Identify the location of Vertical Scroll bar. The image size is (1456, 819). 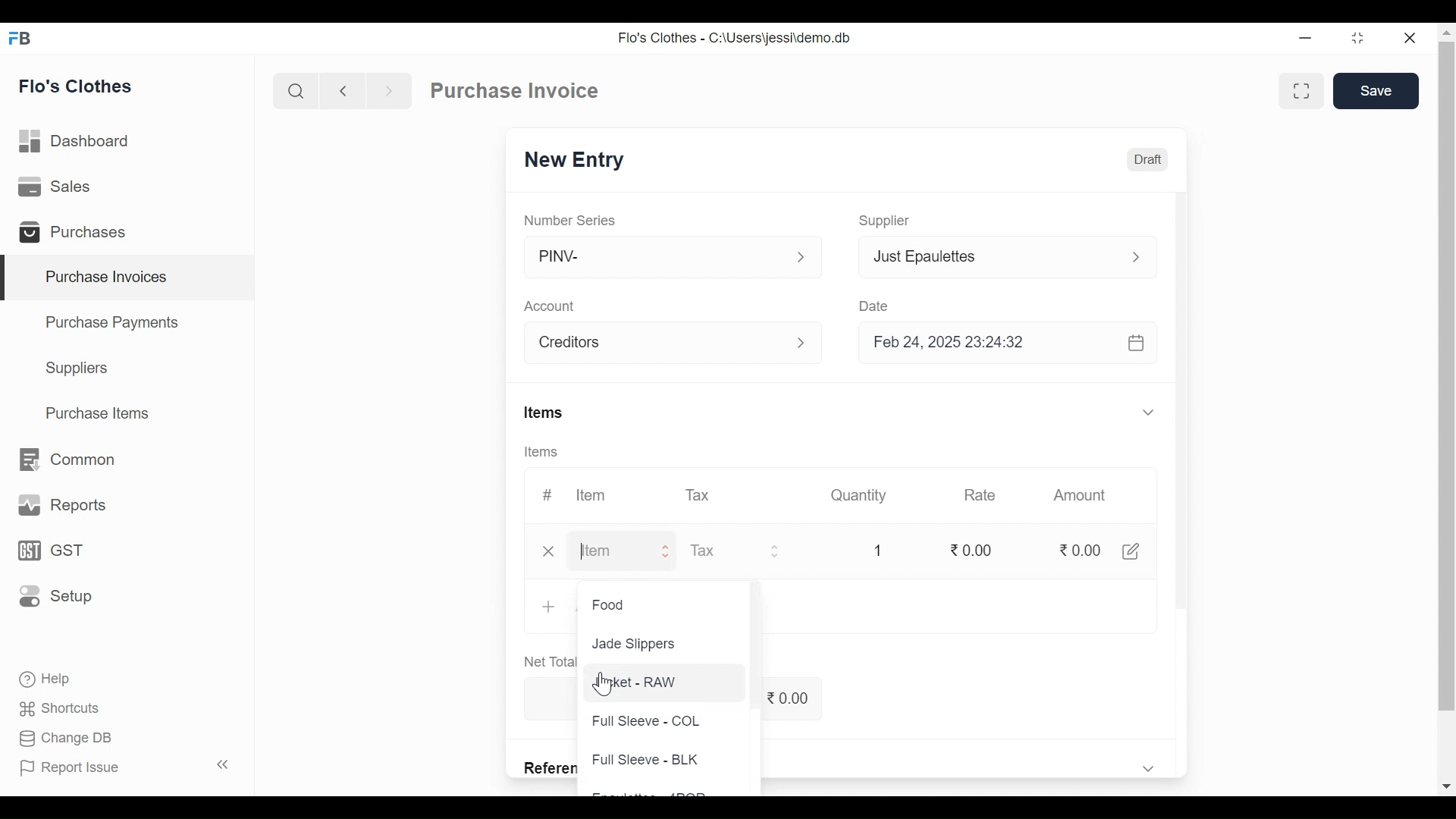
(1185, 416).